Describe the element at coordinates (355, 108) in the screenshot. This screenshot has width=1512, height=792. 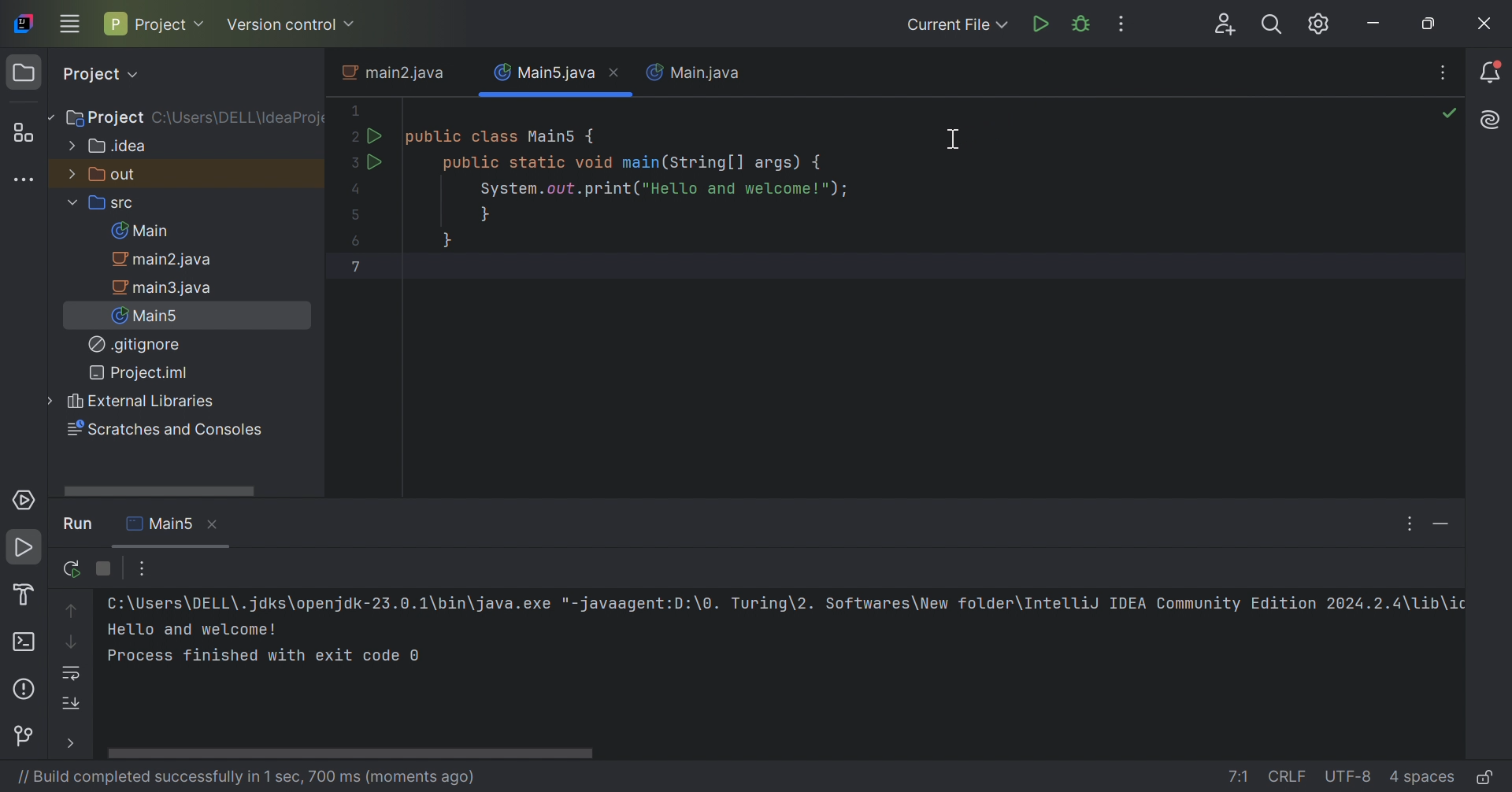
I see `1` at that location.